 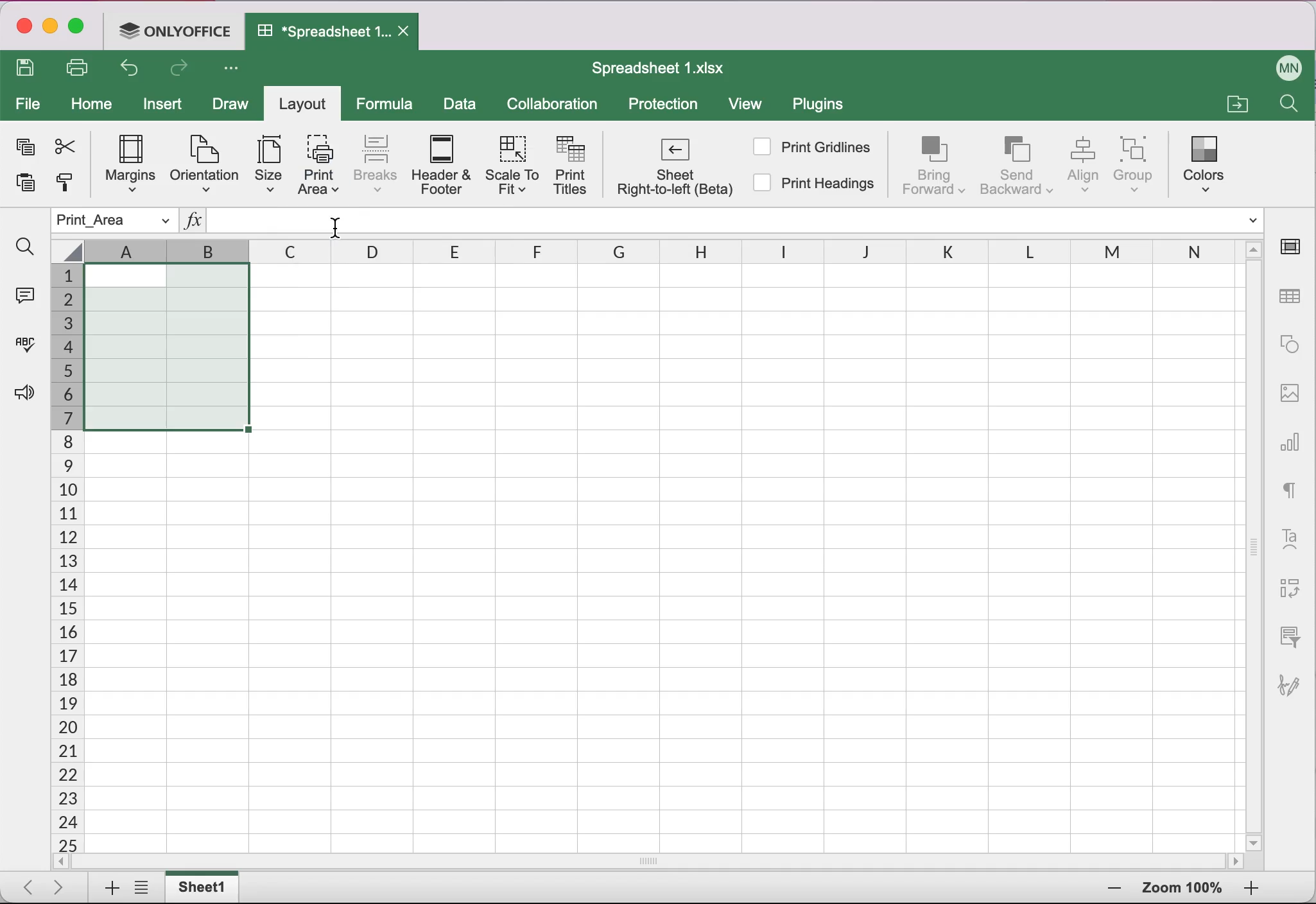 I want to click on print, so click(x=82, y=67).